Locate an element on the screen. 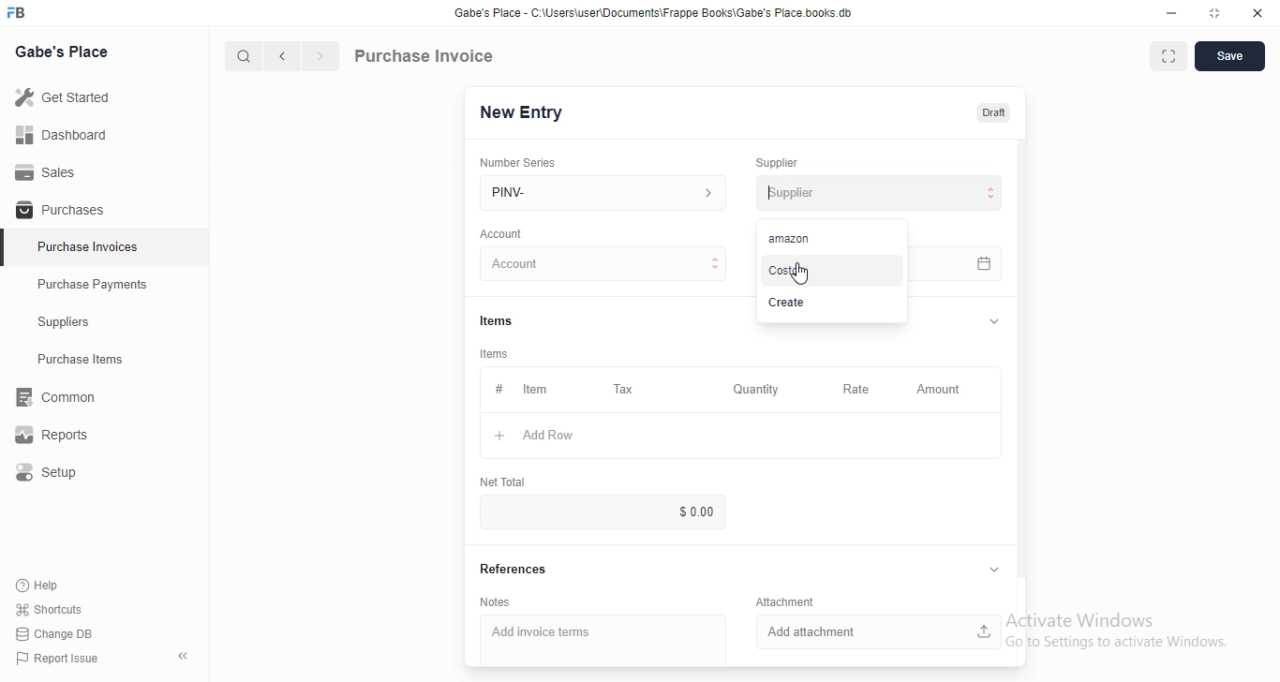 This screenshot has width=1280, height=682. Change dimension is located at coordinates (1215, 13).